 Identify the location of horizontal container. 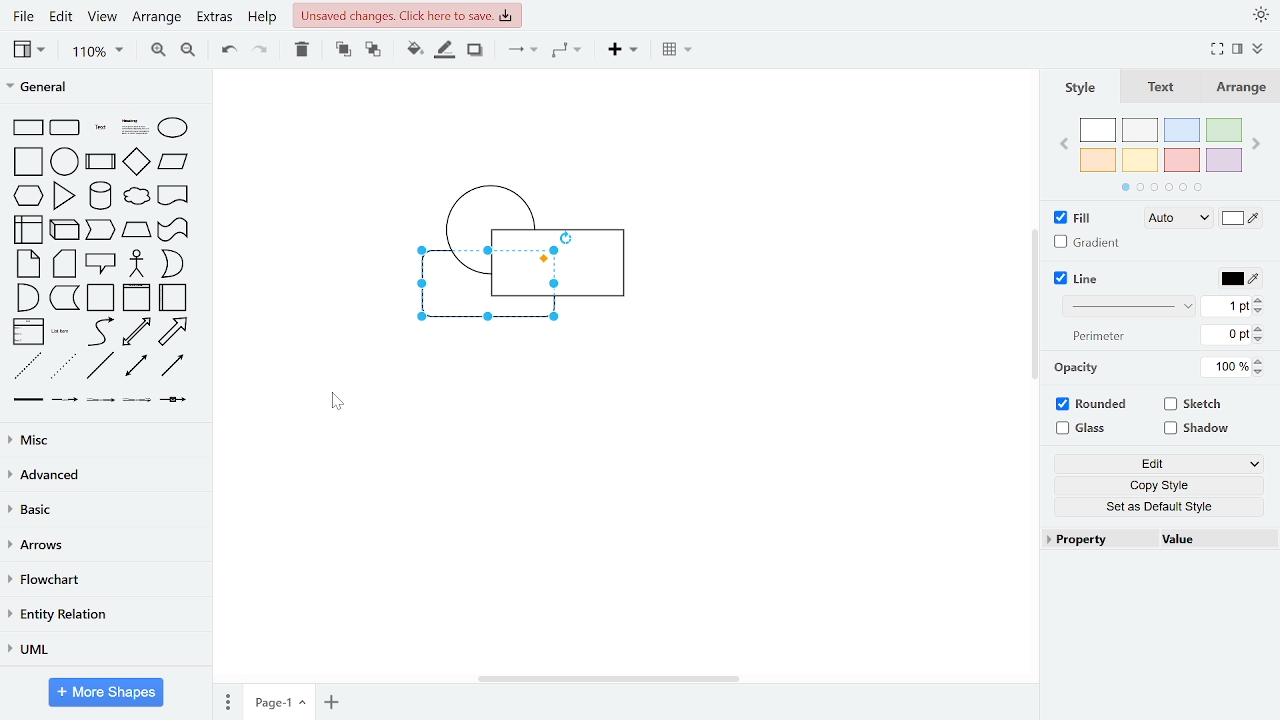
(172, 298).